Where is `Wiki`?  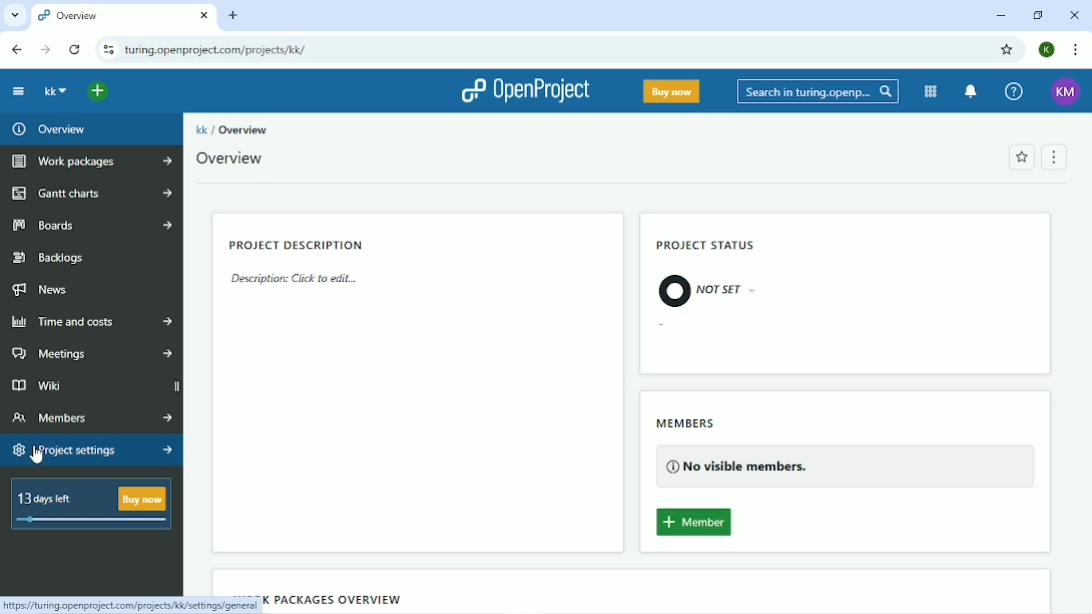 Wiki is located at coordinates (93, 387).